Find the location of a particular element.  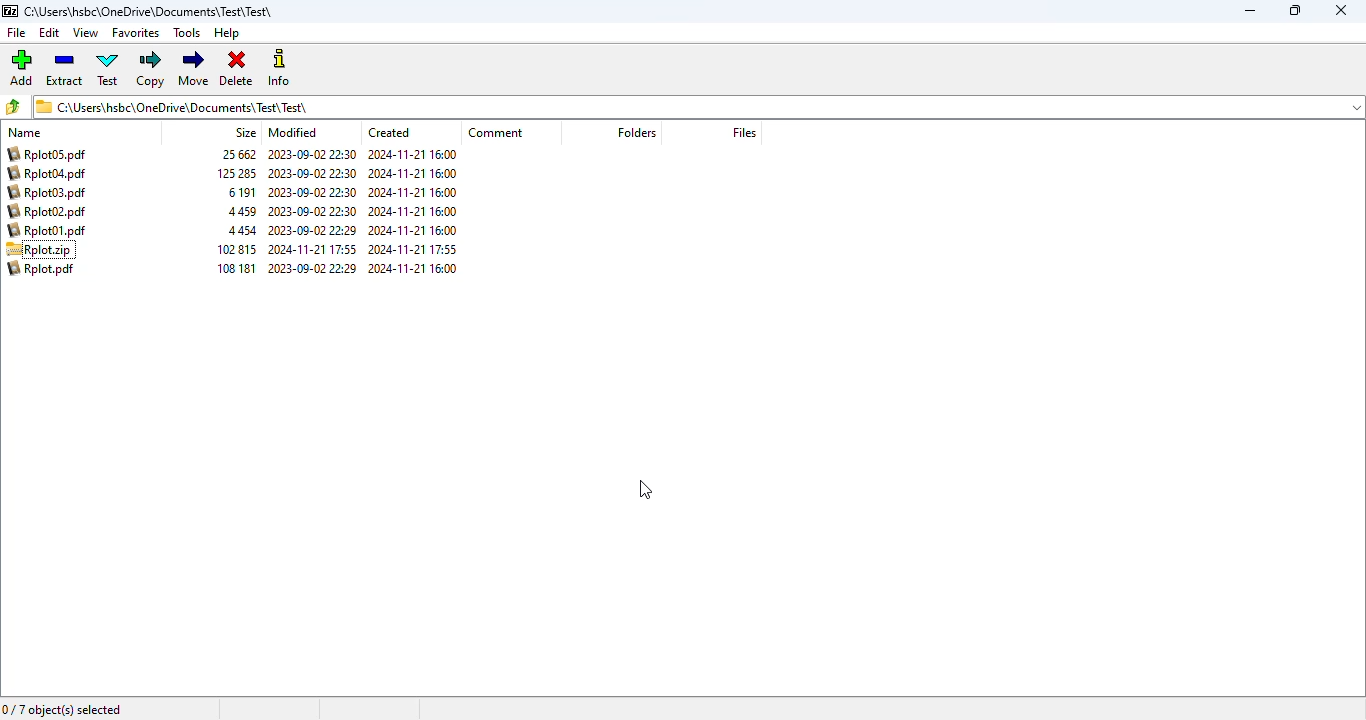

files is located at coordinates (744, 132).